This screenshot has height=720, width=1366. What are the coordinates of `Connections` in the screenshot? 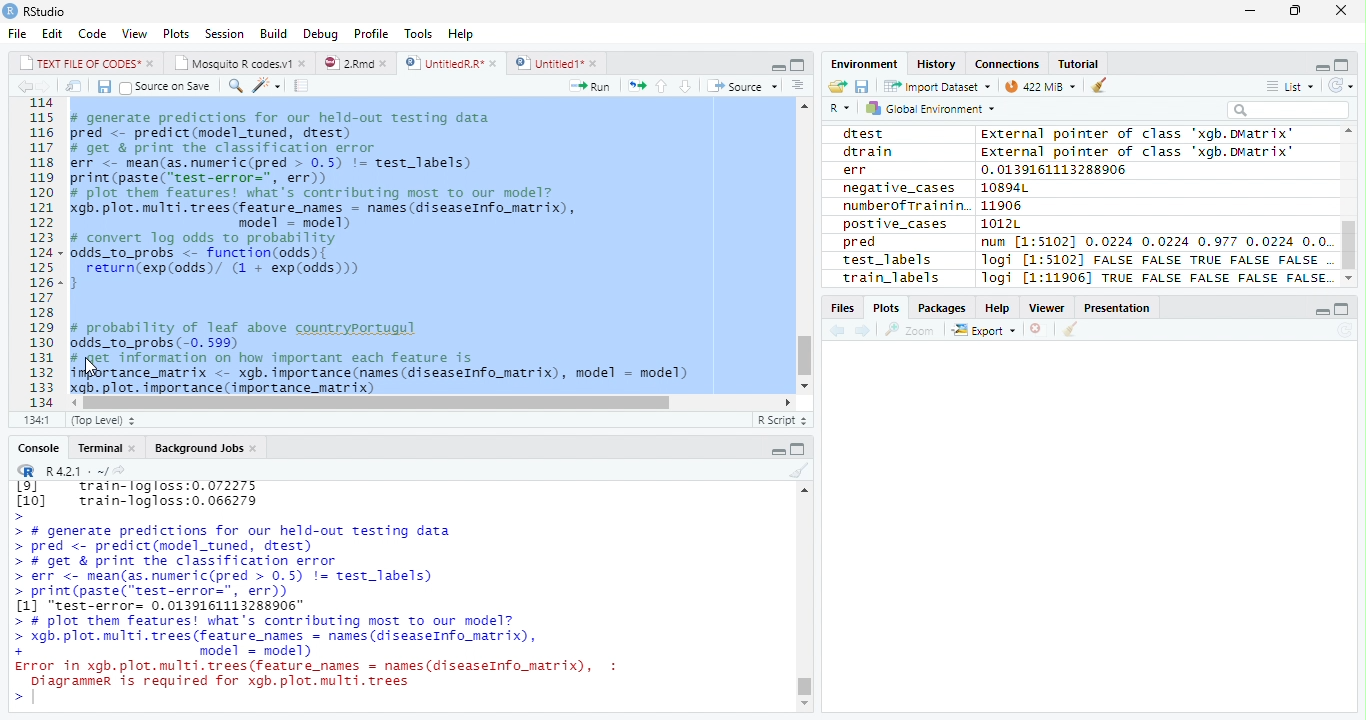 It's located at (1007, 64).